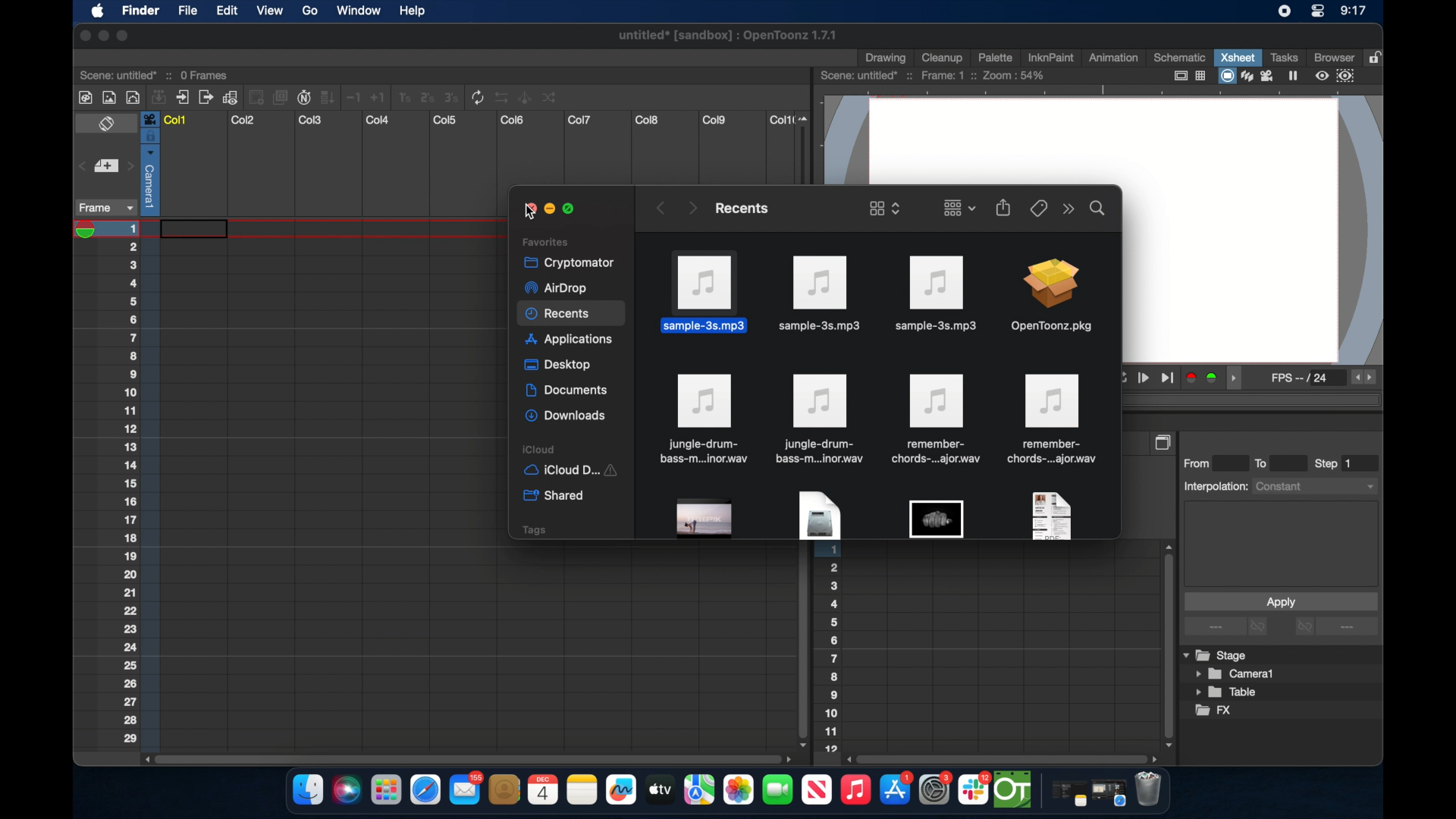 This screenshot has width=1456, height=819. What do you see at coordinates (937, 789) in the screenshot?
I see `settings` at bounding box center [937, 789].